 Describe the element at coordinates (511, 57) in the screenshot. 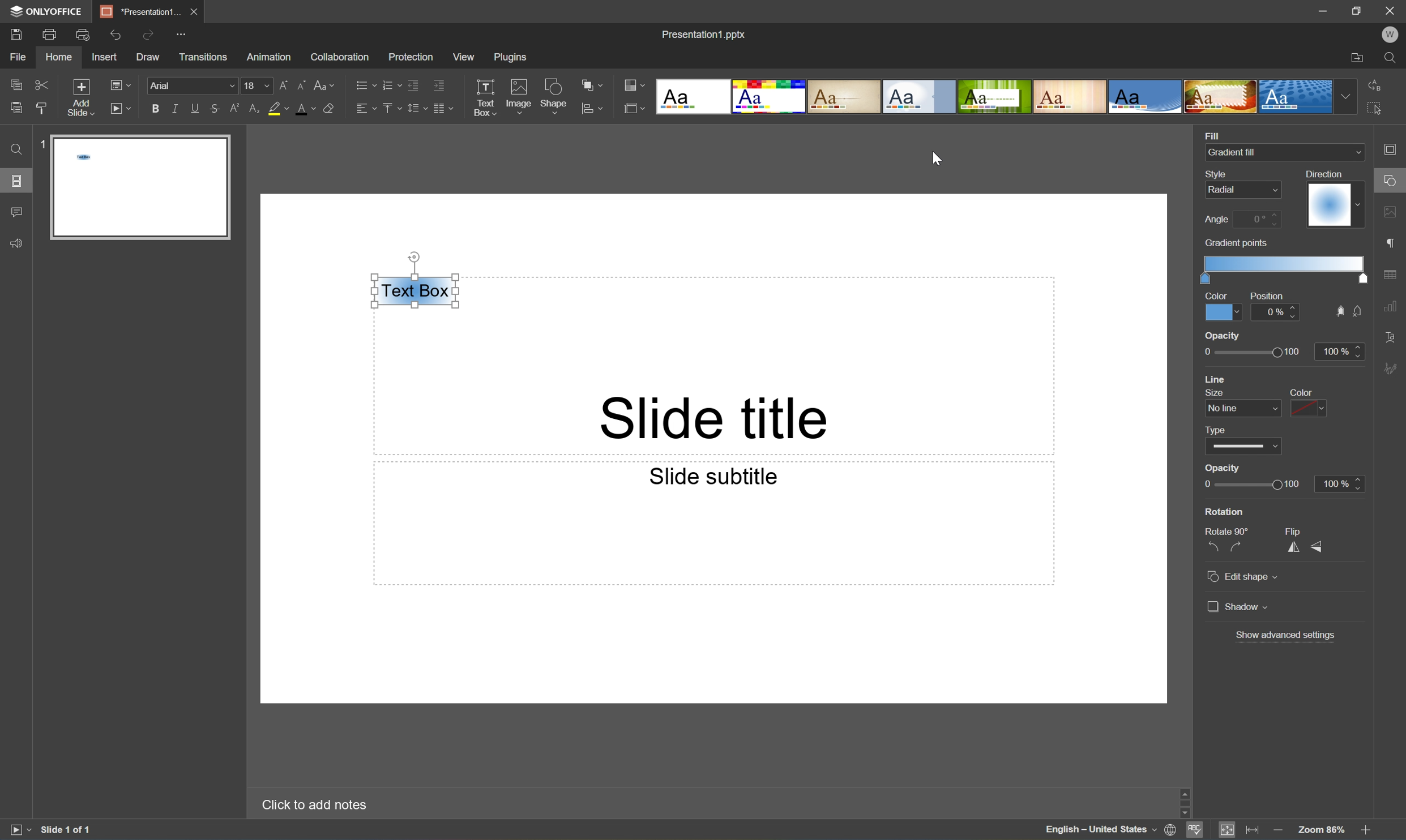

I see `Plugins` at that location.